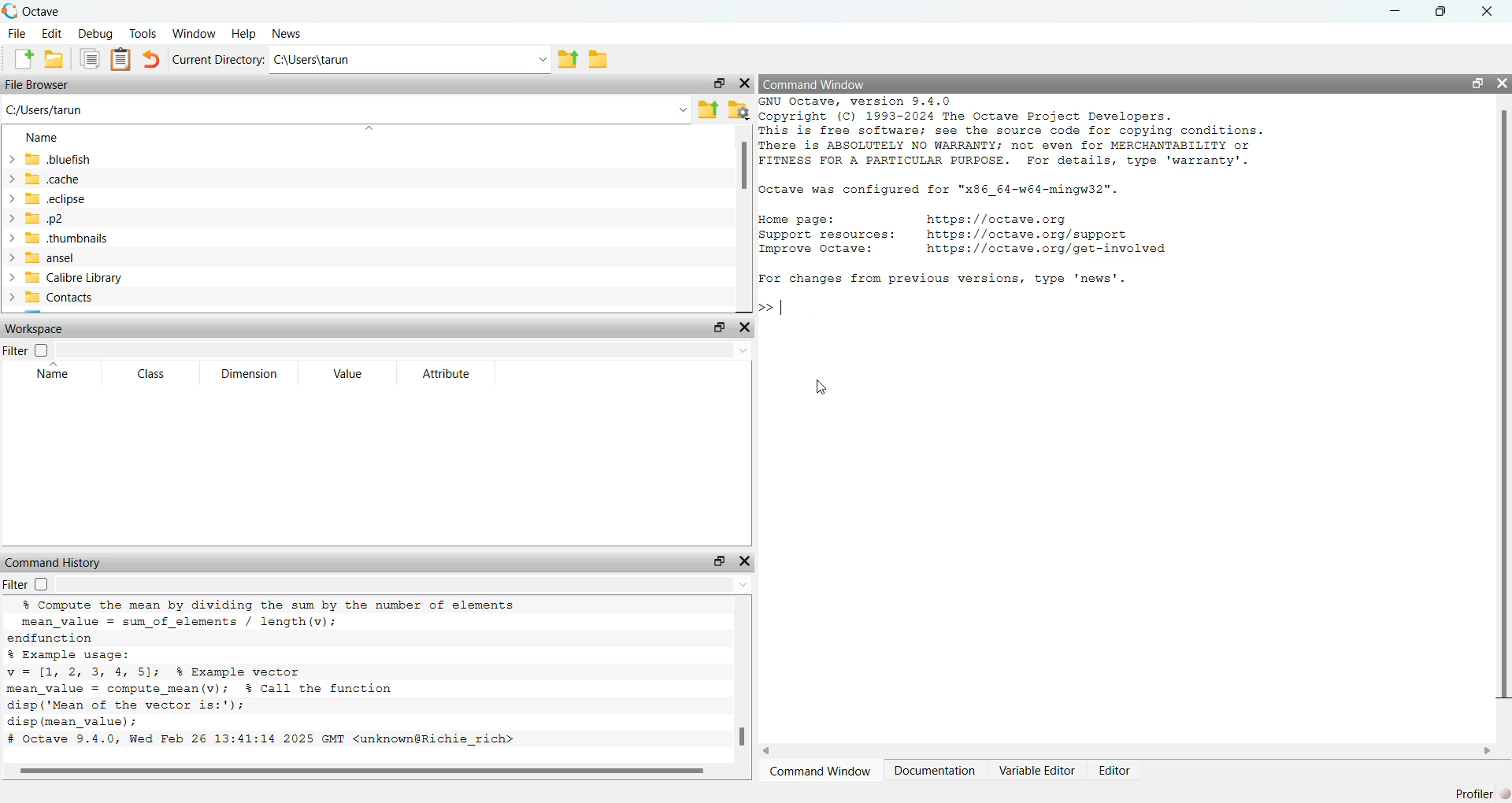 The height and width of the screenshot is (803, 1512). Describe the element at coordinates (1440, 13) in the screenshot. I see `maximise` at that location.